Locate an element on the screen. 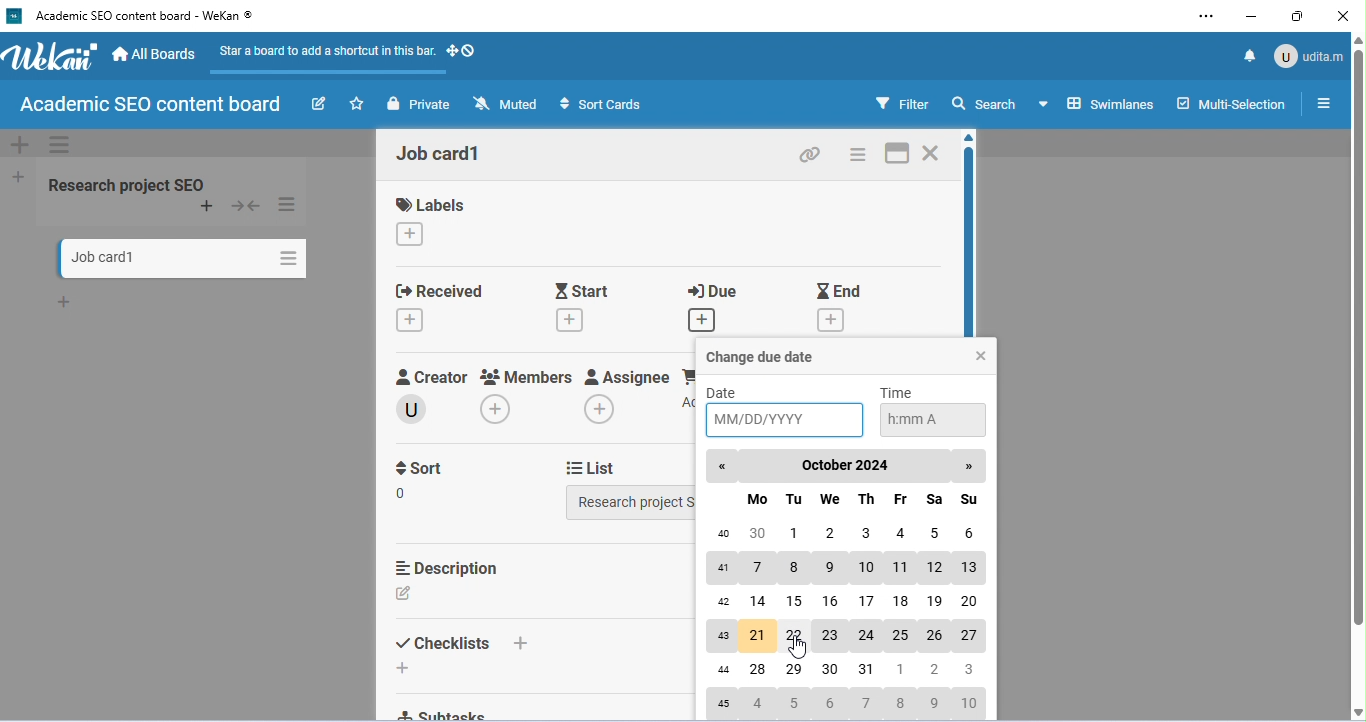  october 2024 is located at coordinates (847, 465).